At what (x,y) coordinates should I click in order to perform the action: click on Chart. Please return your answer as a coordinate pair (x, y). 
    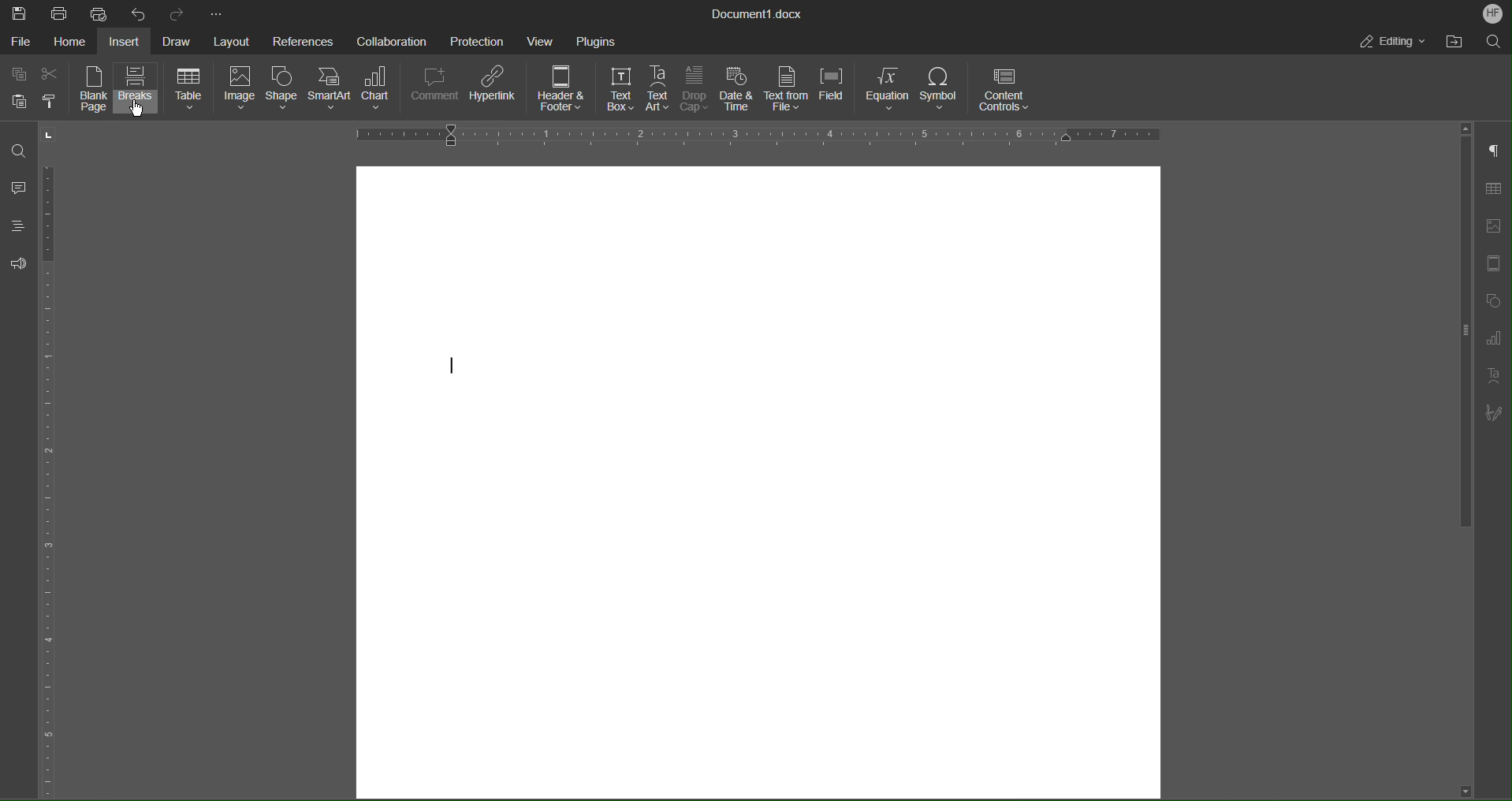
    Looking at the image, I should click on (378, 91).